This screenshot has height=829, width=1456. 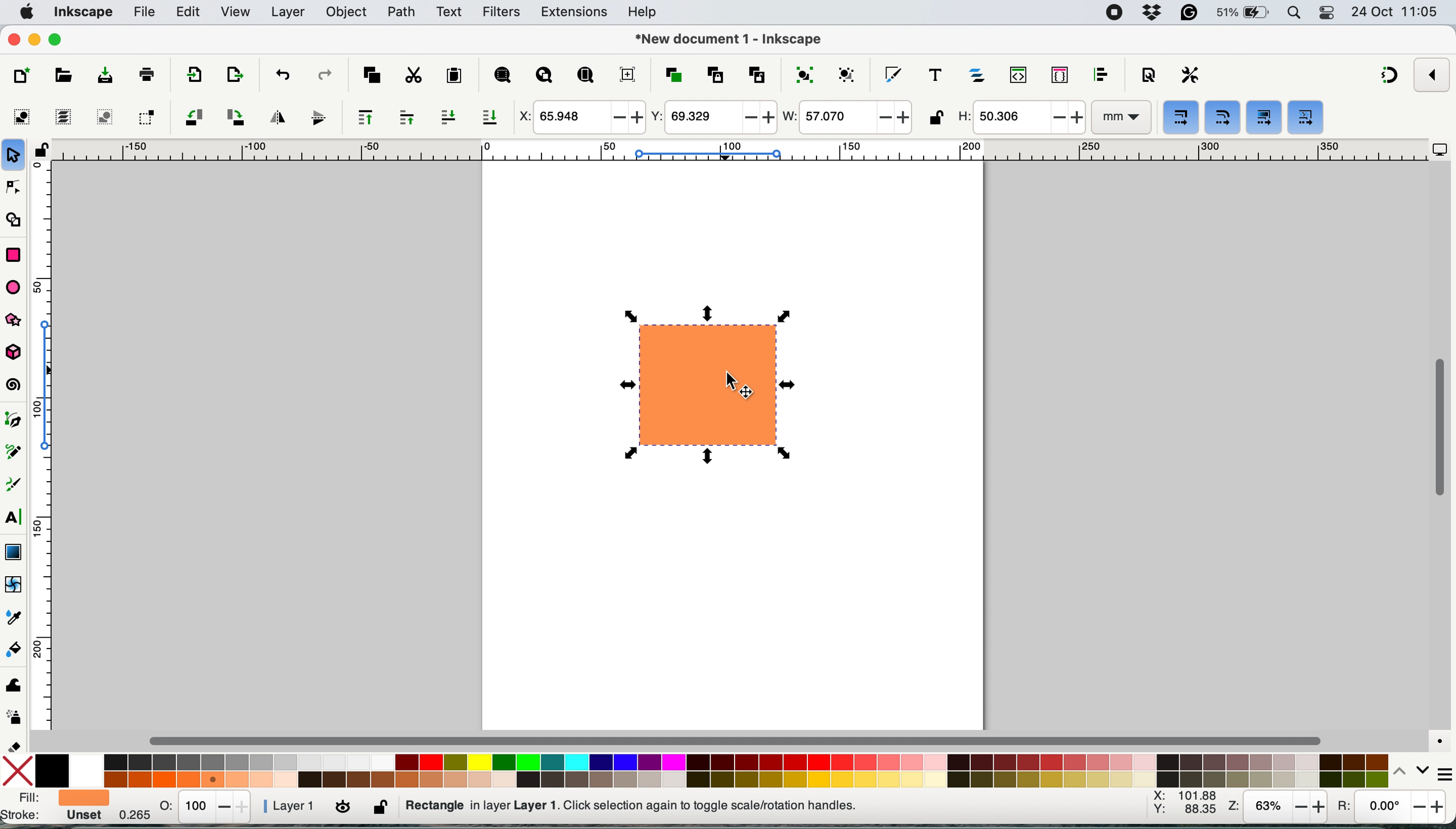 I want to click on when scaling rectangles scale the radii of rounded corners, so click(x=1221, y=118).